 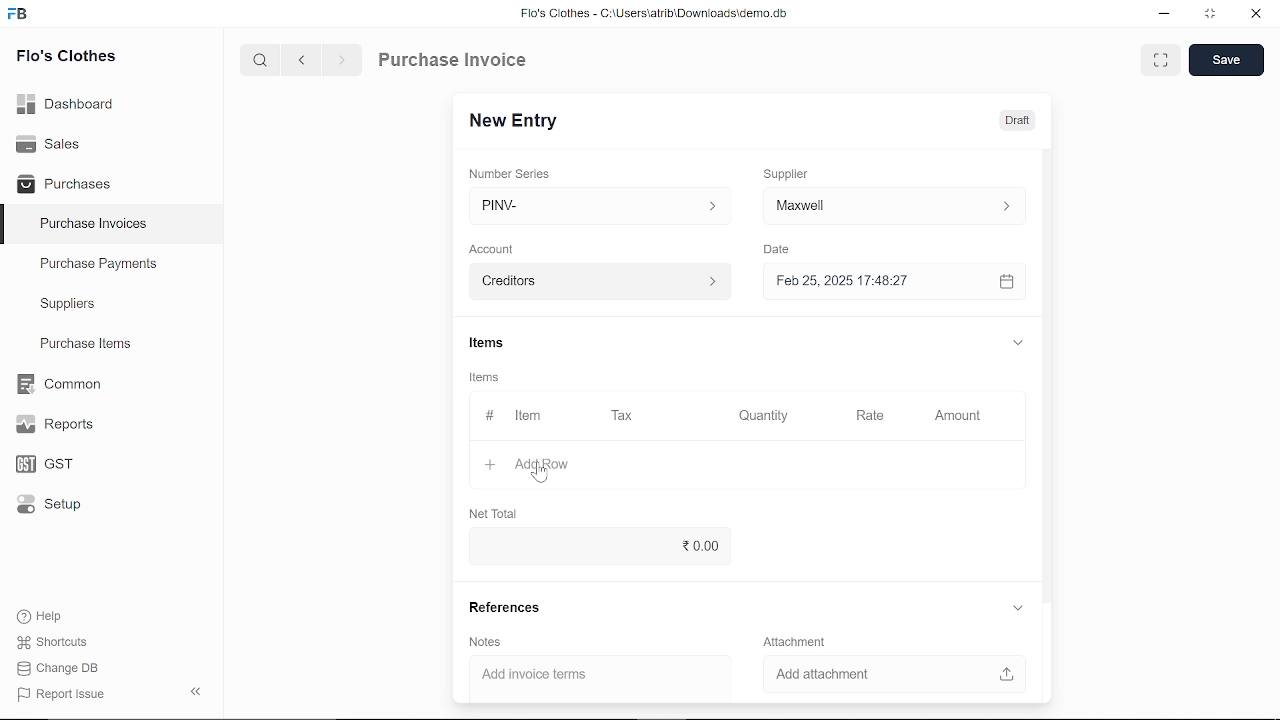 What do you see at coordinates (874, 281) in the screenshot?
I see ` Feb 25, 2025 17:48:27` at bounding box center [874, 281].